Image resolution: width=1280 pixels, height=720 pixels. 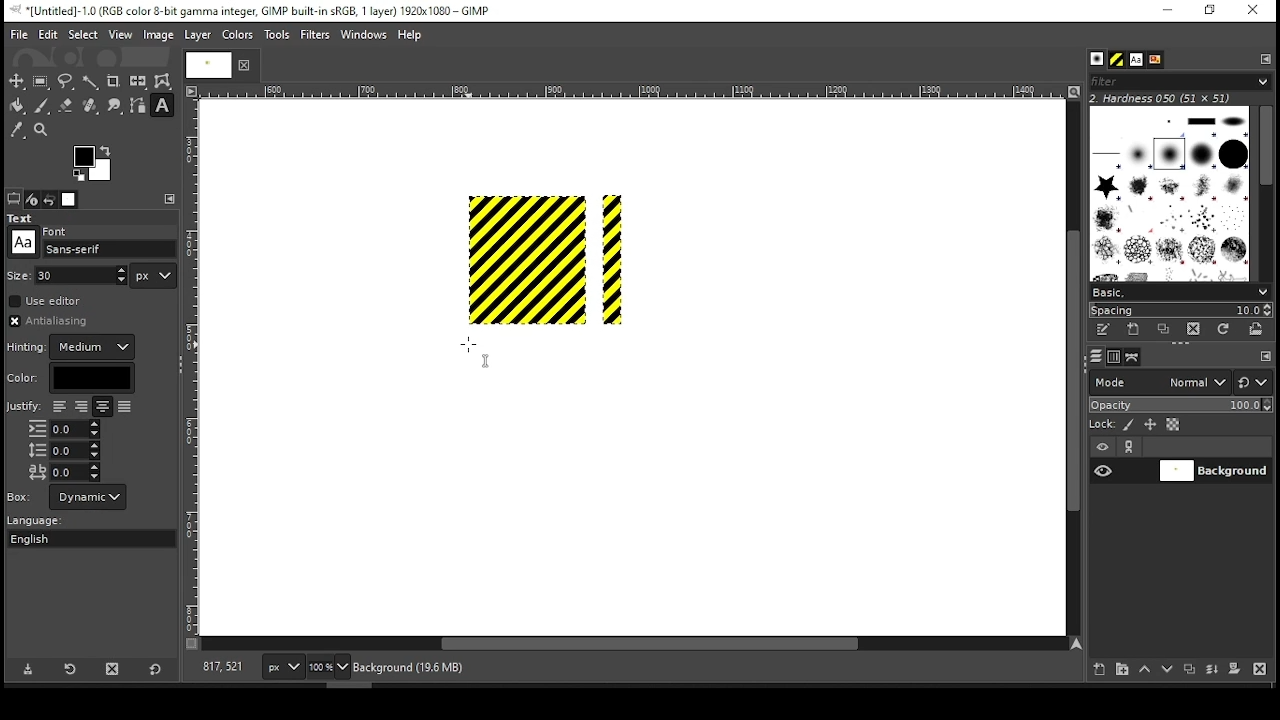 I want to click on mode, so click(x=1159, y=384).